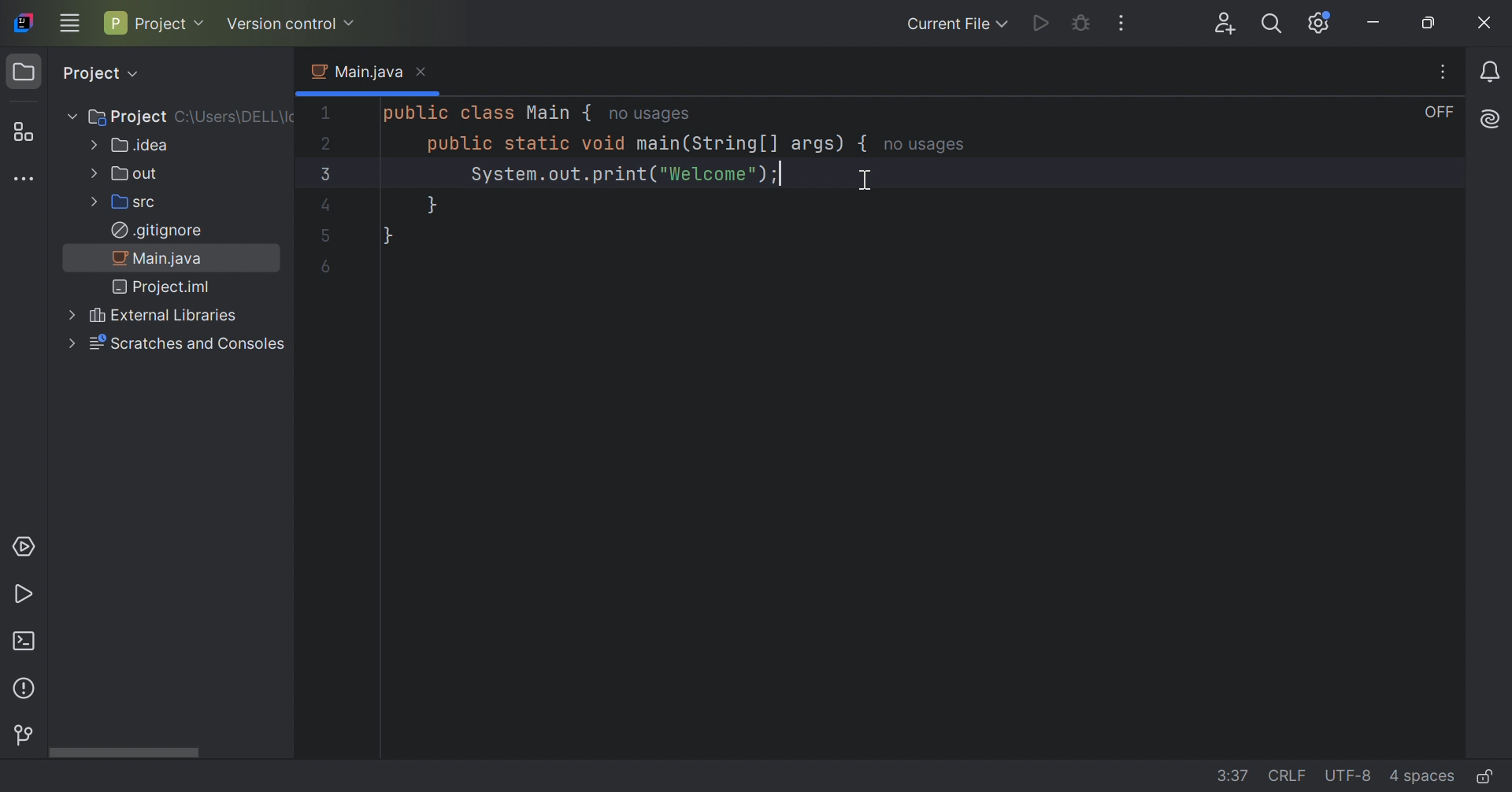 This screenshot has height=792, width=1512. What do you see at coordinates (648, 116) in the screenshot?
I see `no usages` at bounding box center [648, 116].